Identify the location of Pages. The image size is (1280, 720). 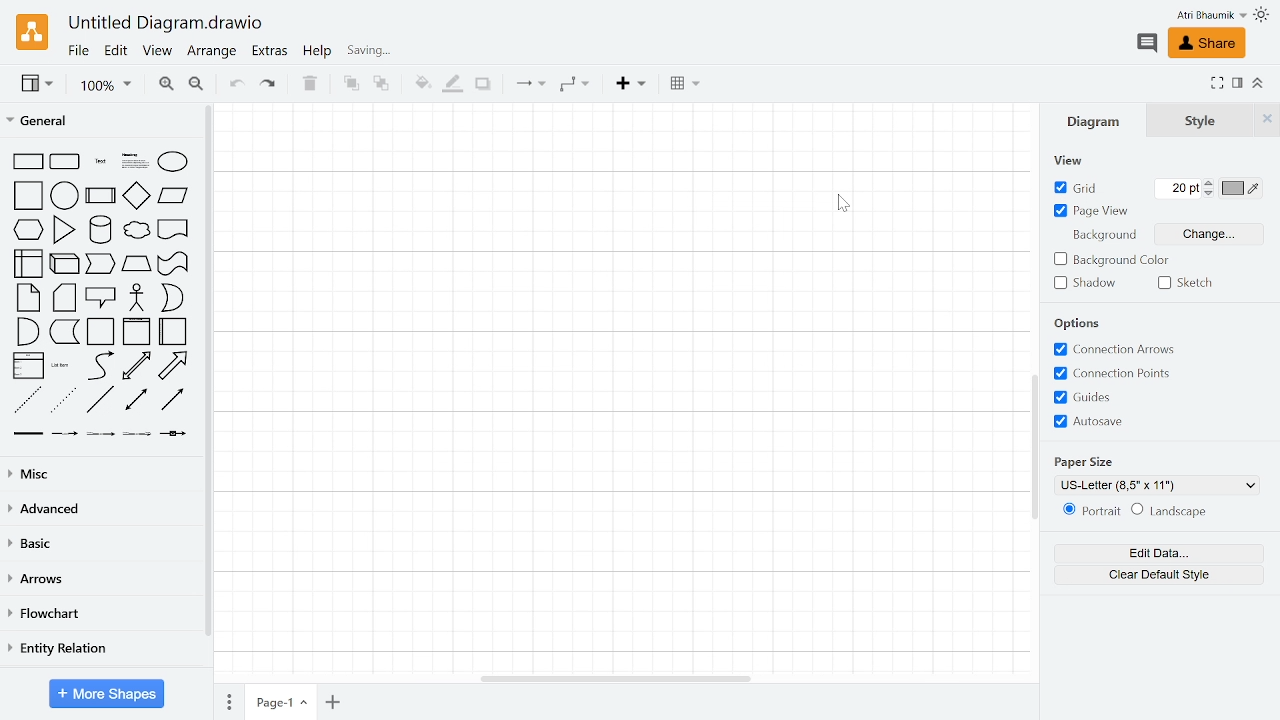
(229, 701).